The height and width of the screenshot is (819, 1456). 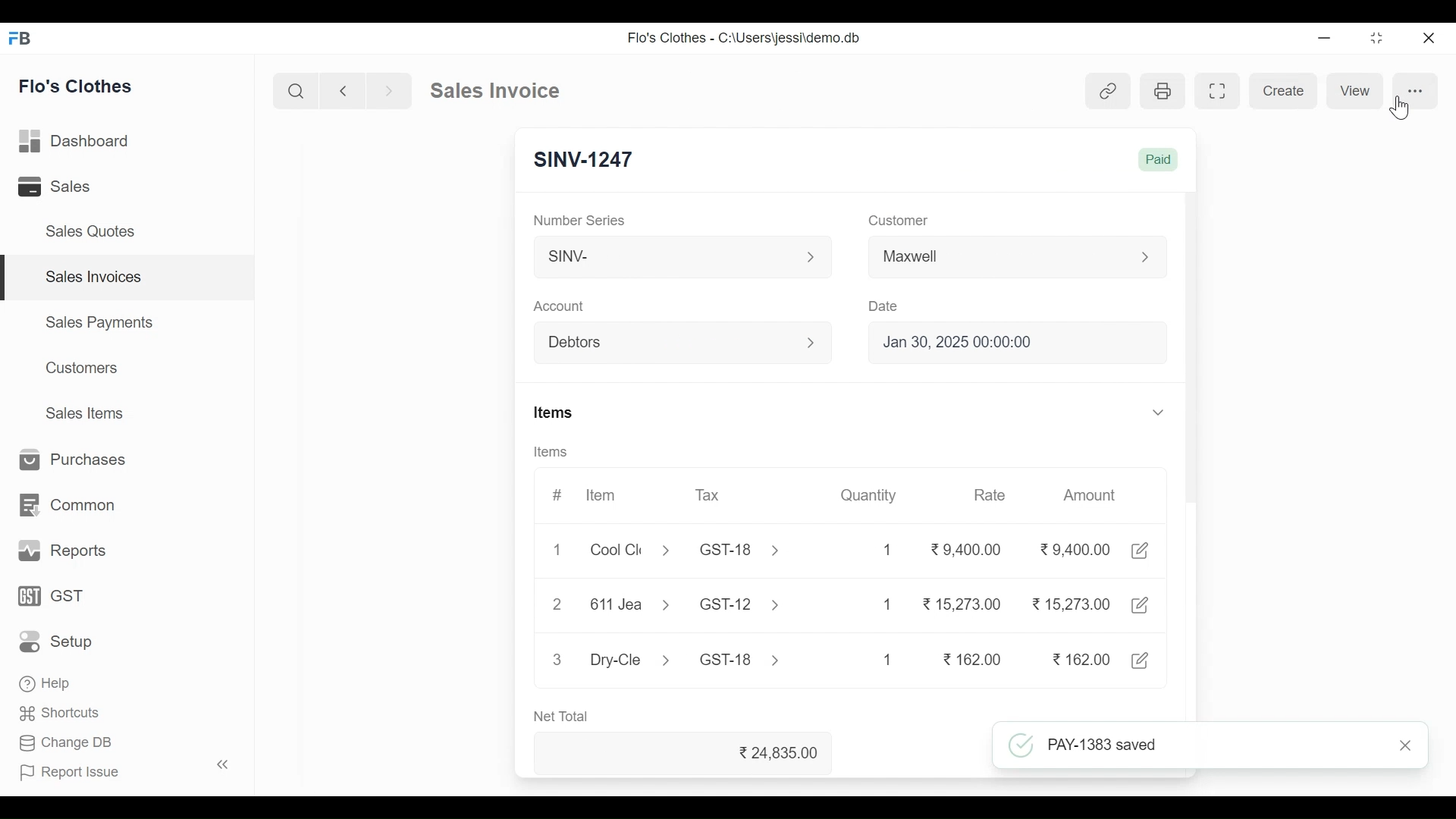 What do you see at coordinates (61, 641) in the screenshot?
I see `Setup` at bounding box center [61, 641].